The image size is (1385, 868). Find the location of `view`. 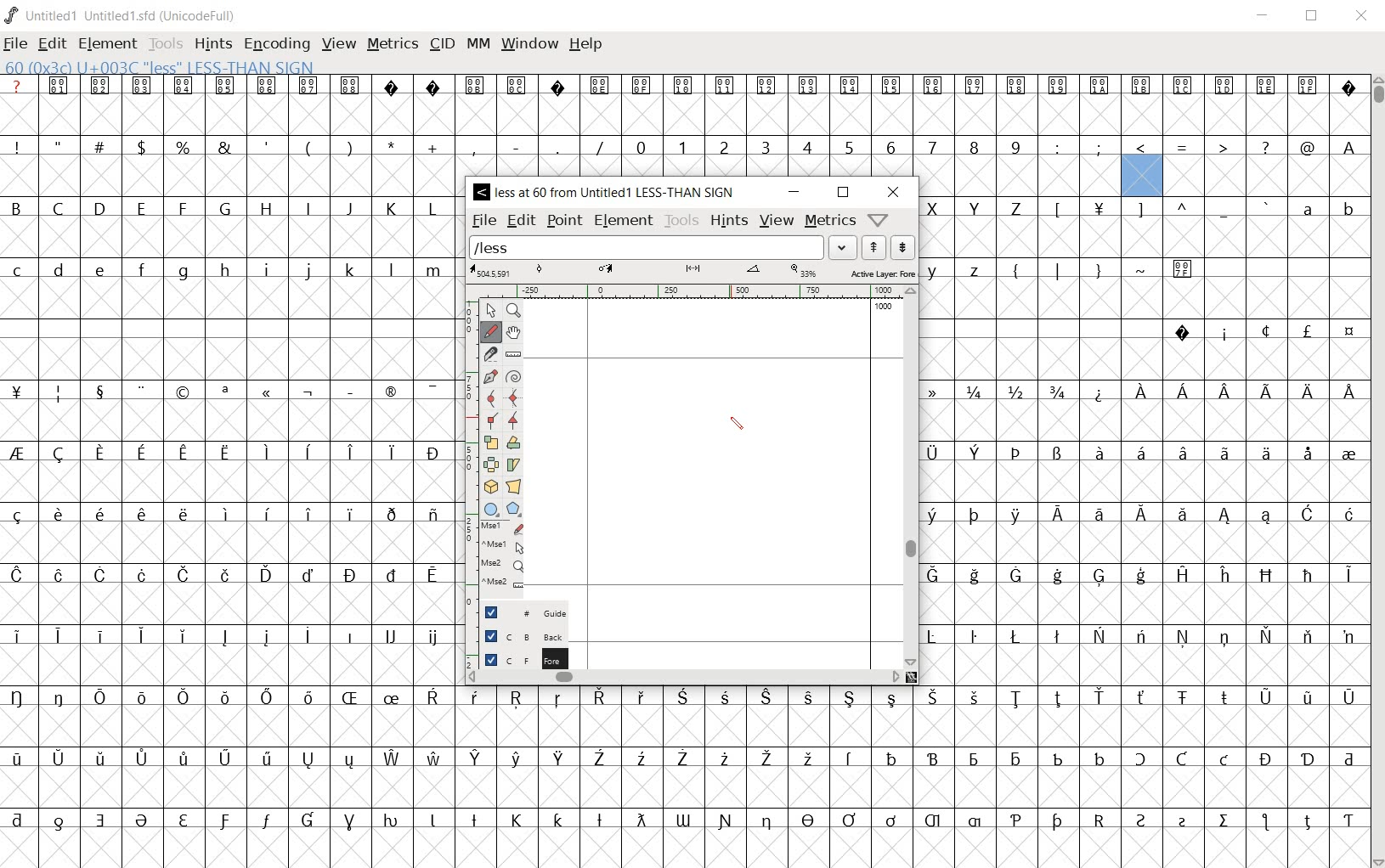

view is located at coordinates (777, 219).